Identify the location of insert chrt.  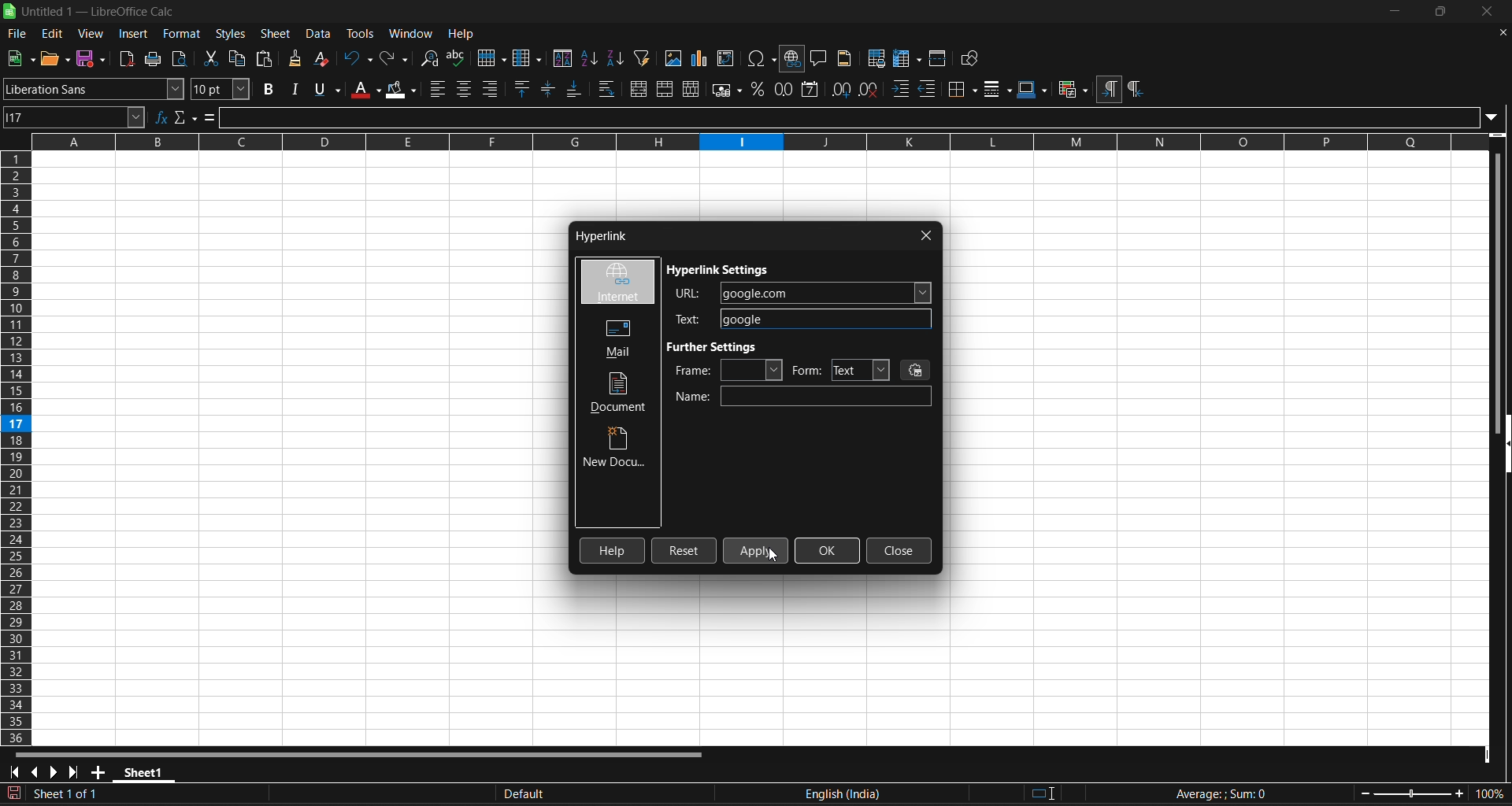
(703, 58).